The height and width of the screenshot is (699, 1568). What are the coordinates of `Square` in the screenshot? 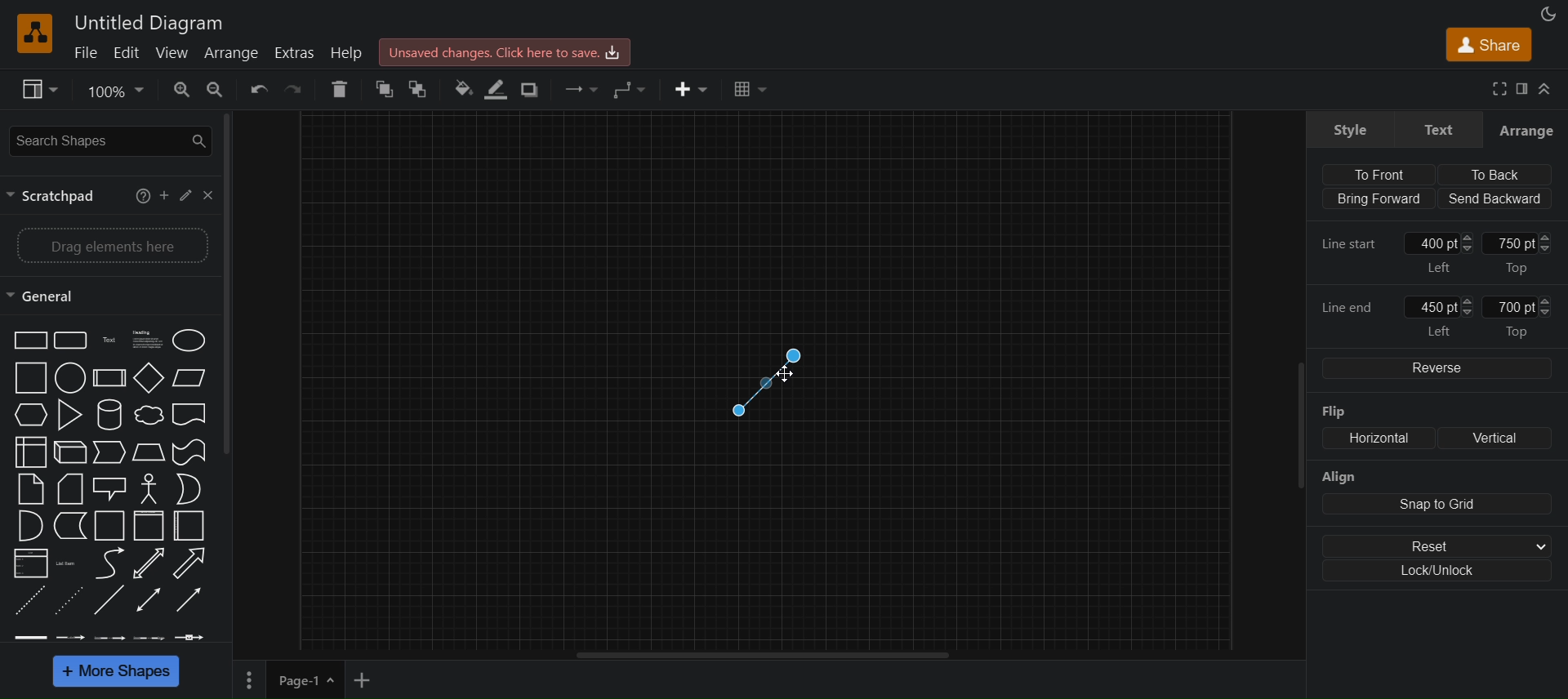 It's located at (29, 377).